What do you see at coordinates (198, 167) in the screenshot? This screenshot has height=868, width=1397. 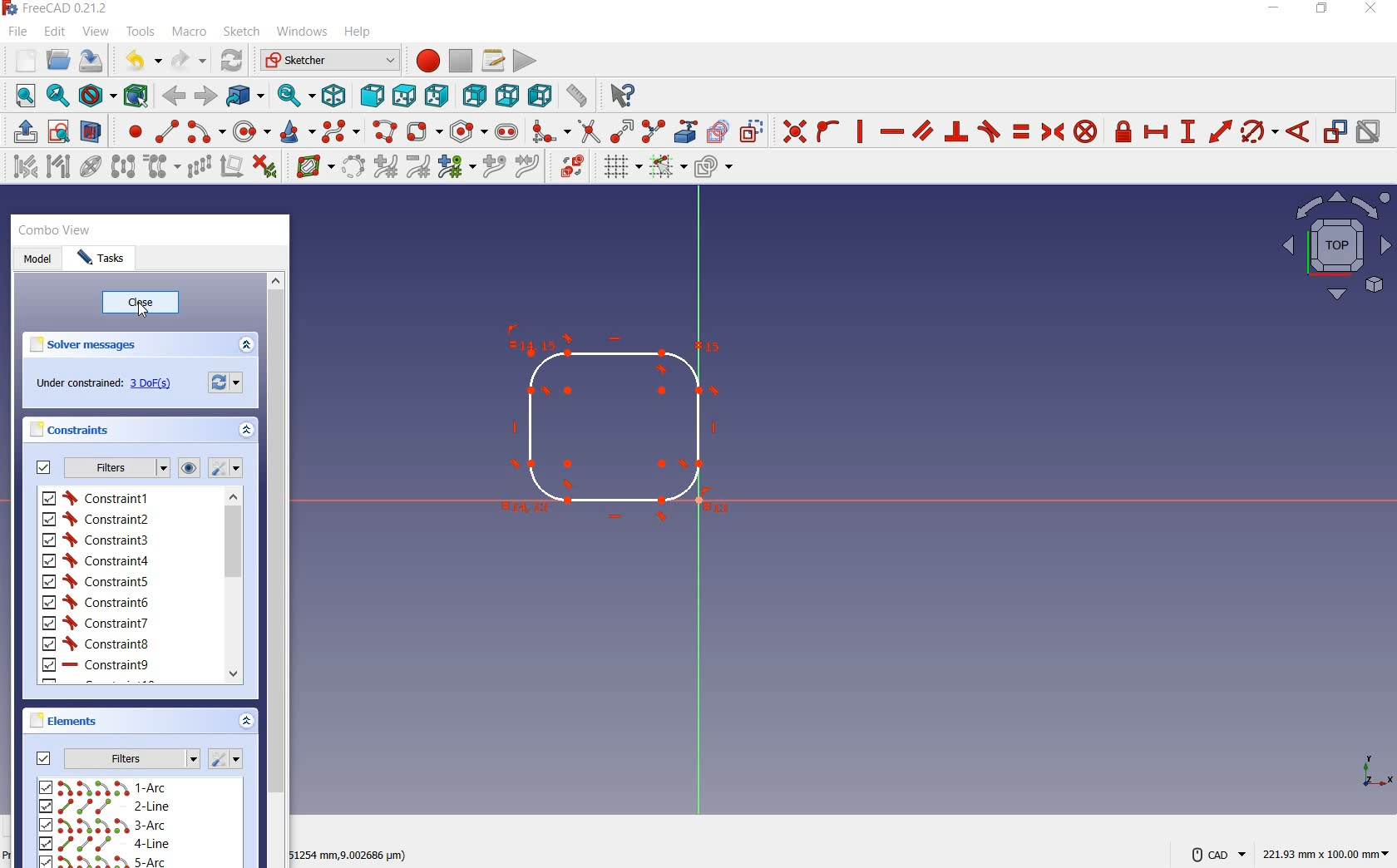 I see `rectangular array` at bounding box center [198, 167].